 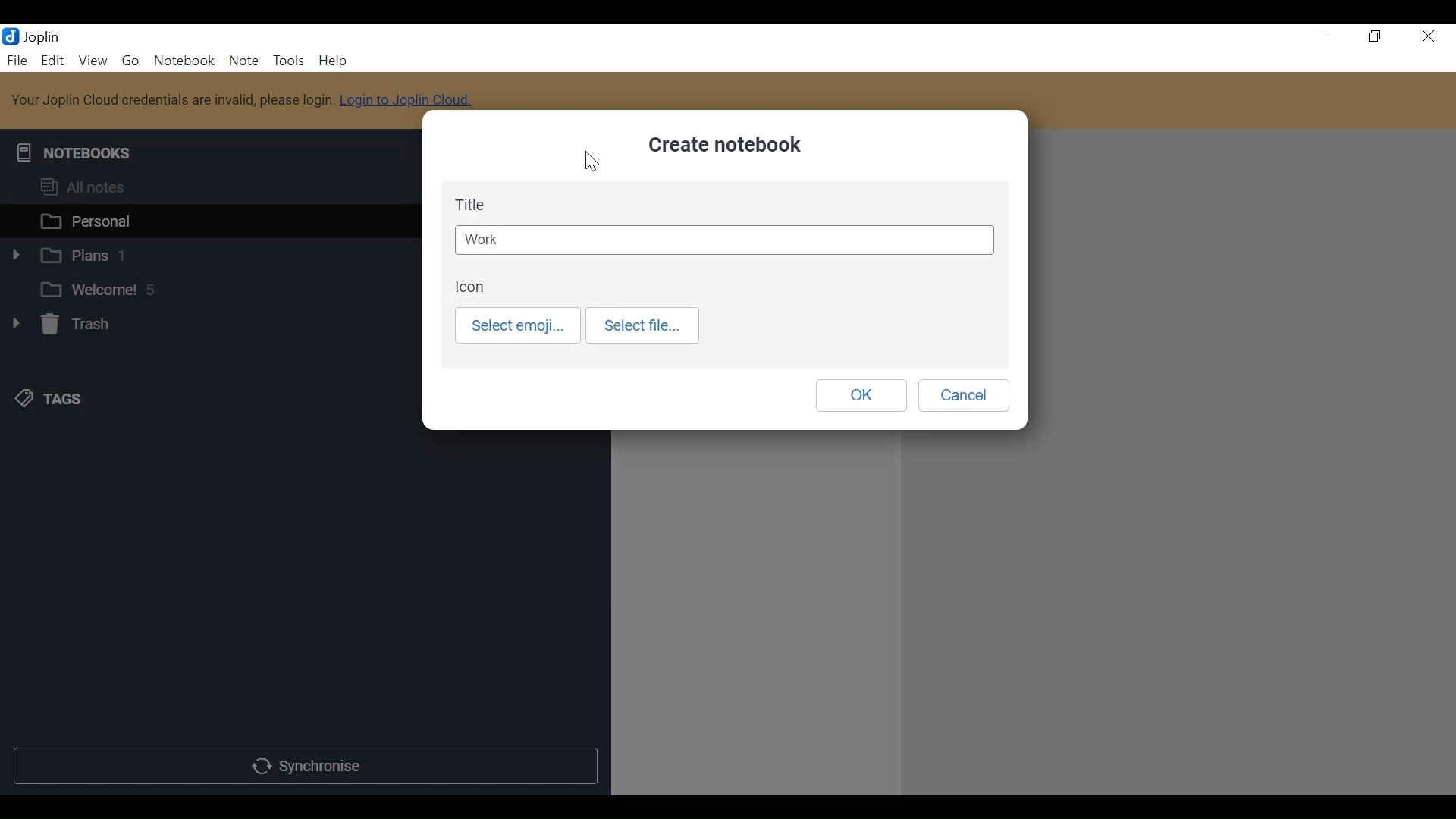 I want to click on Cancel, so click(x=963, y=395).